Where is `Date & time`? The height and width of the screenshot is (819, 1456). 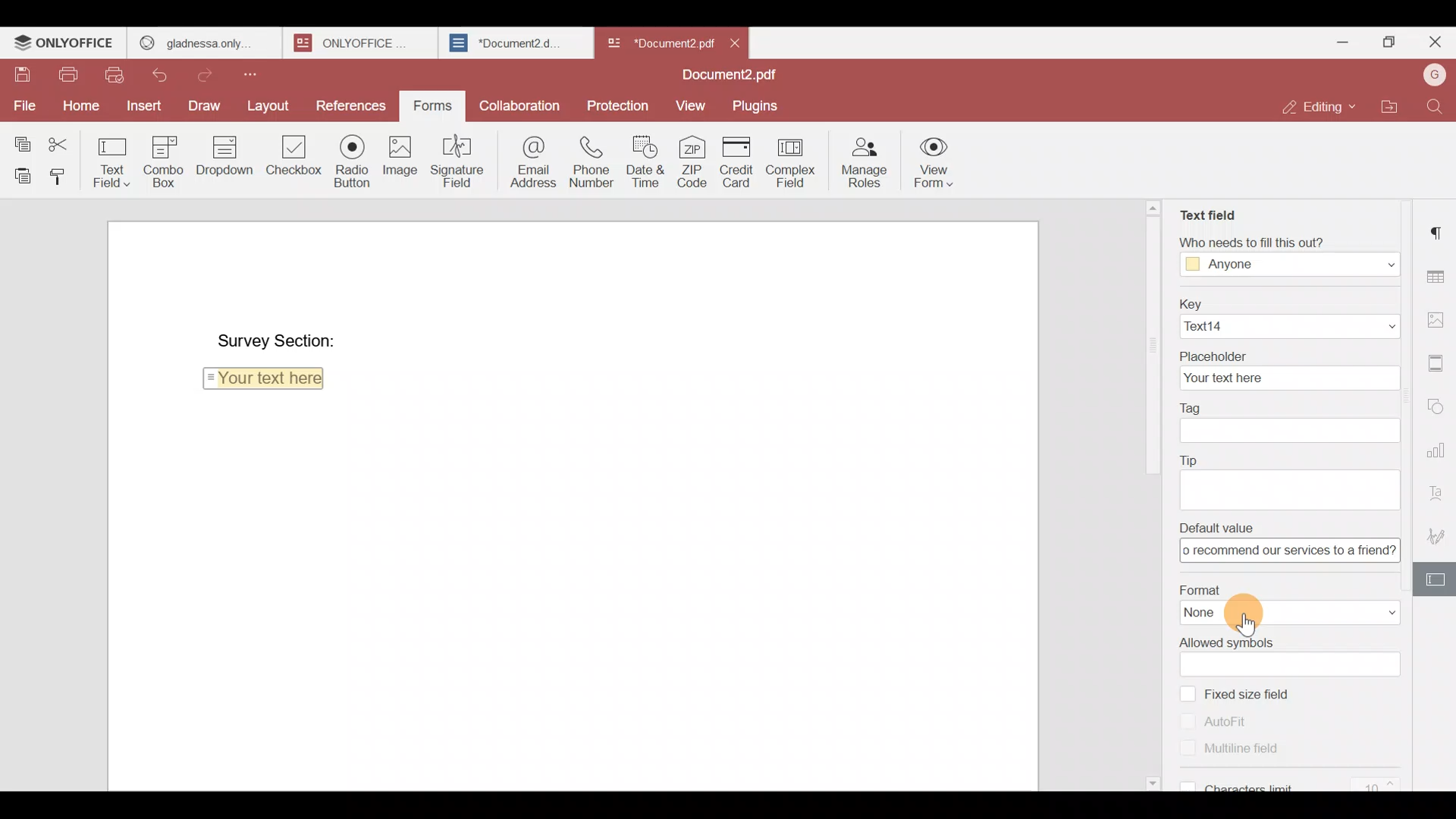
Date & time is located at coordinates (645, 161).